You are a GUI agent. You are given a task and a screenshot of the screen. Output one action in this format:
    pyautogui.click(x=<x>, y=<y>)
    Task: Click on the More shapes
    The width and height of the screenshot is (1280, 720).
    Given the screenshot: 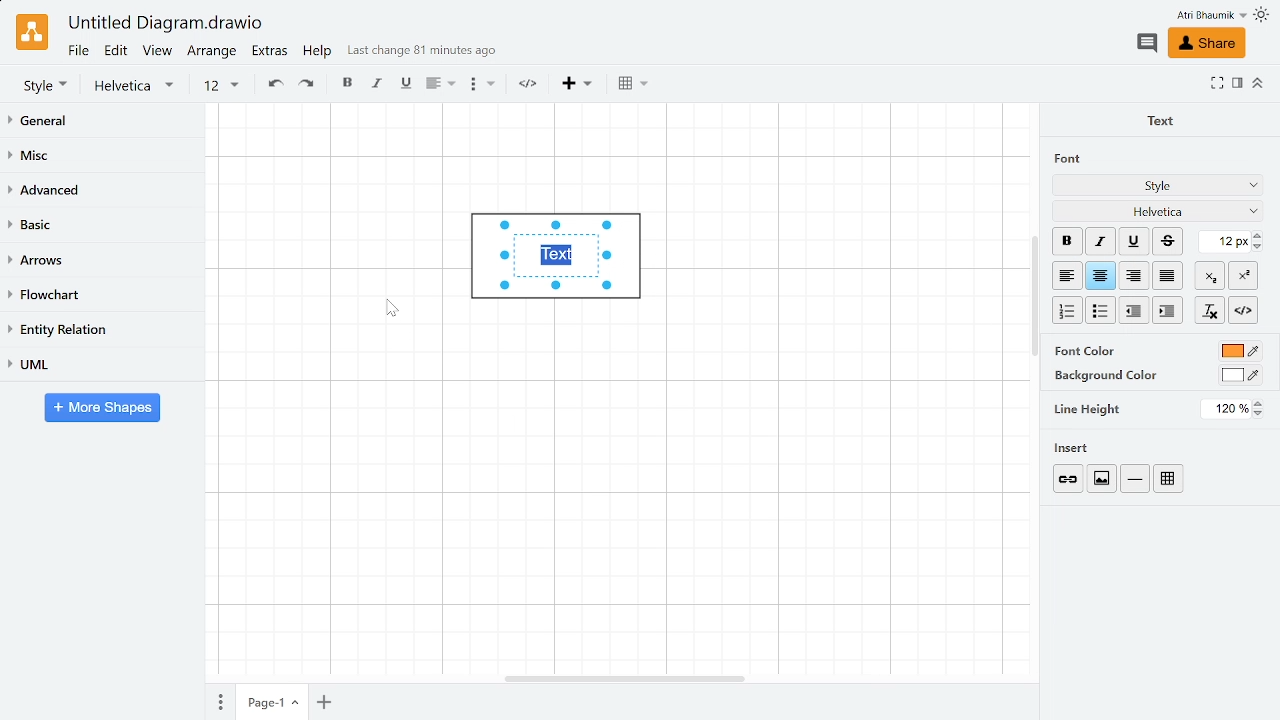 What is the action you would take?
    pyautogui.click(x=102, y=409)
    